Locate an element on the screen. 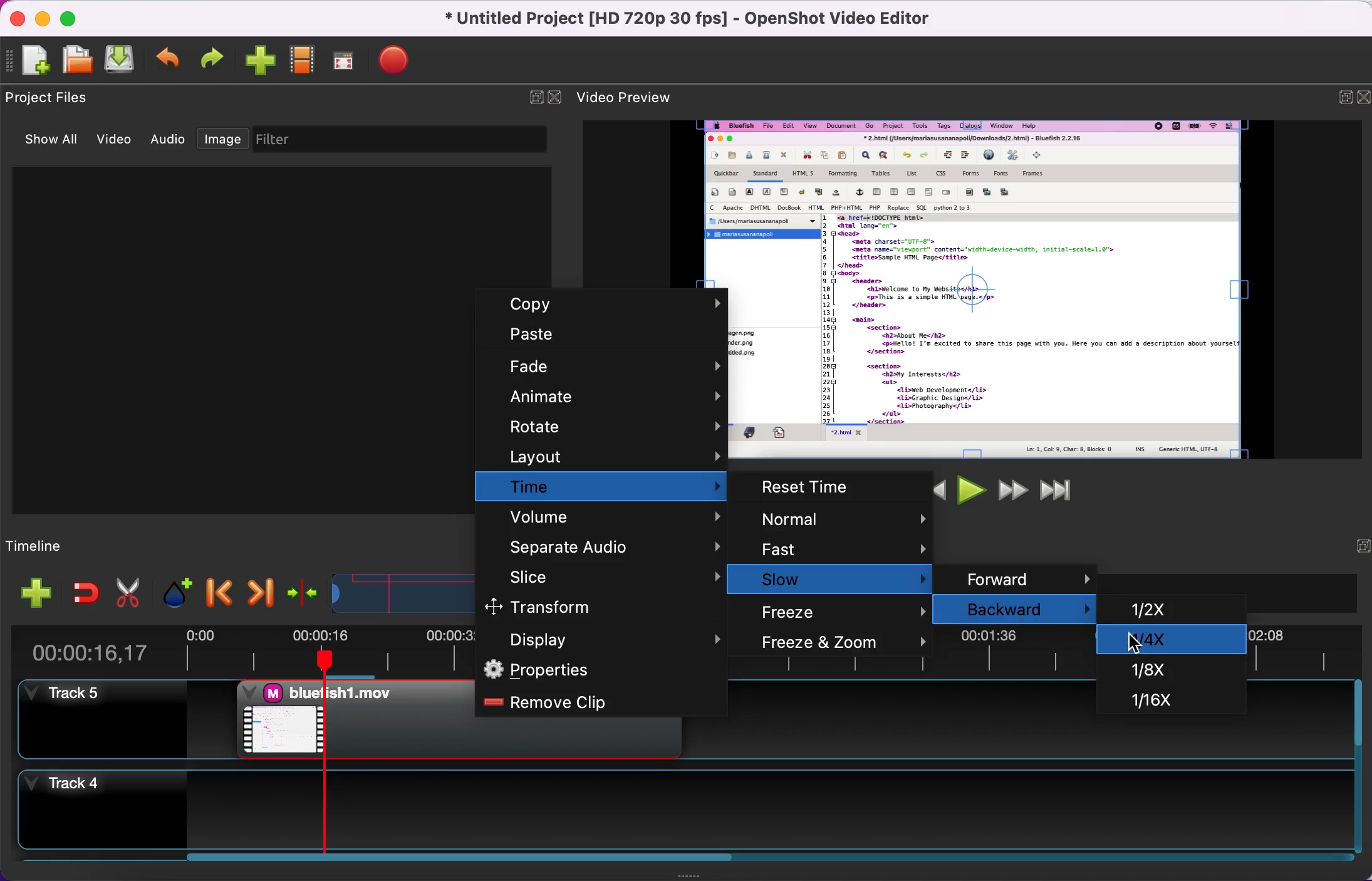 The height and width of the screenshot is (881, 1372). close is located at coordinates (1361, 98).